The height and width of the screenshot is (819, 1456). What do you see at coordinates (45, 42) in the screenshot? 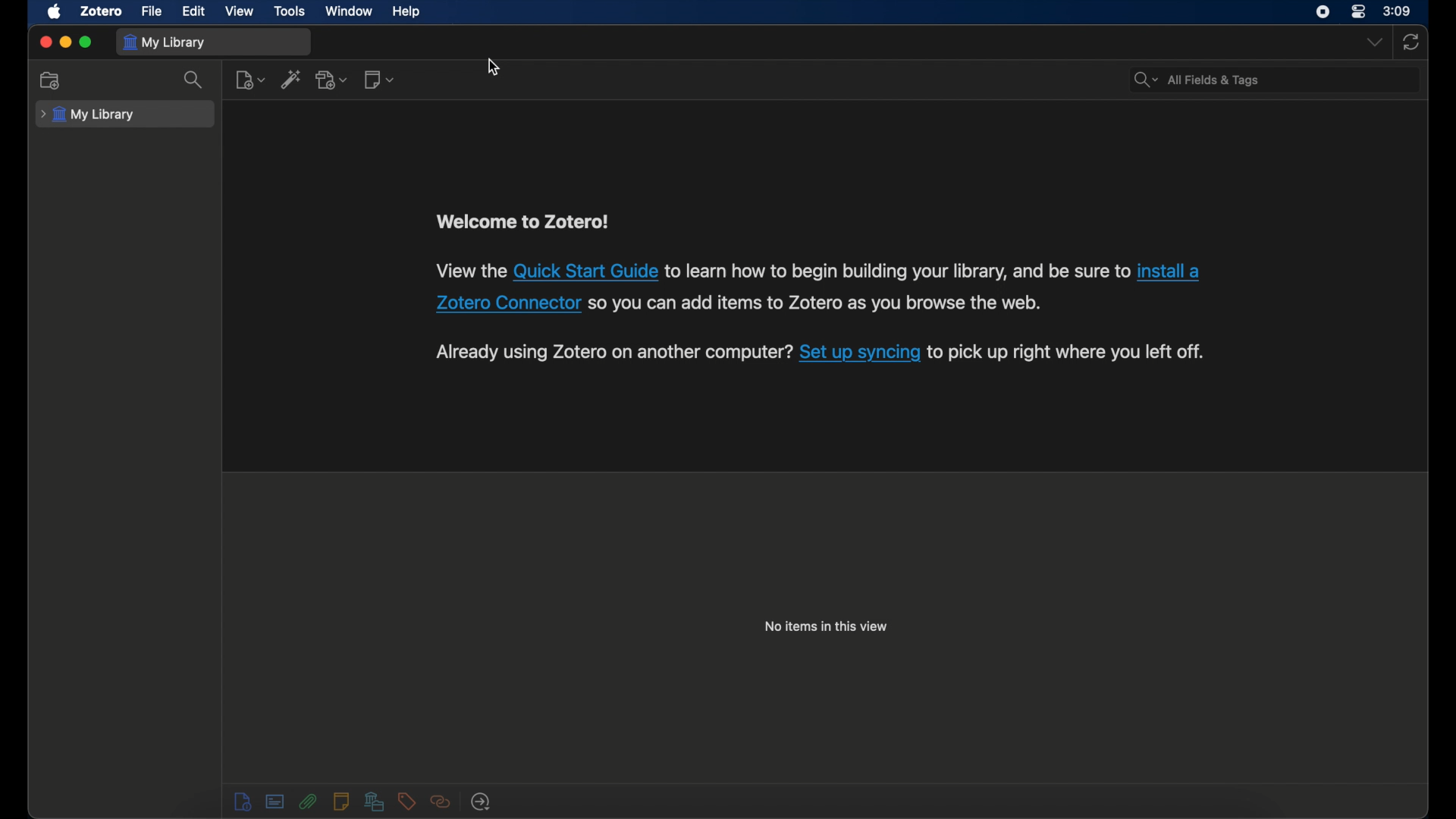
I see `close` at bounding box center [45, 42].